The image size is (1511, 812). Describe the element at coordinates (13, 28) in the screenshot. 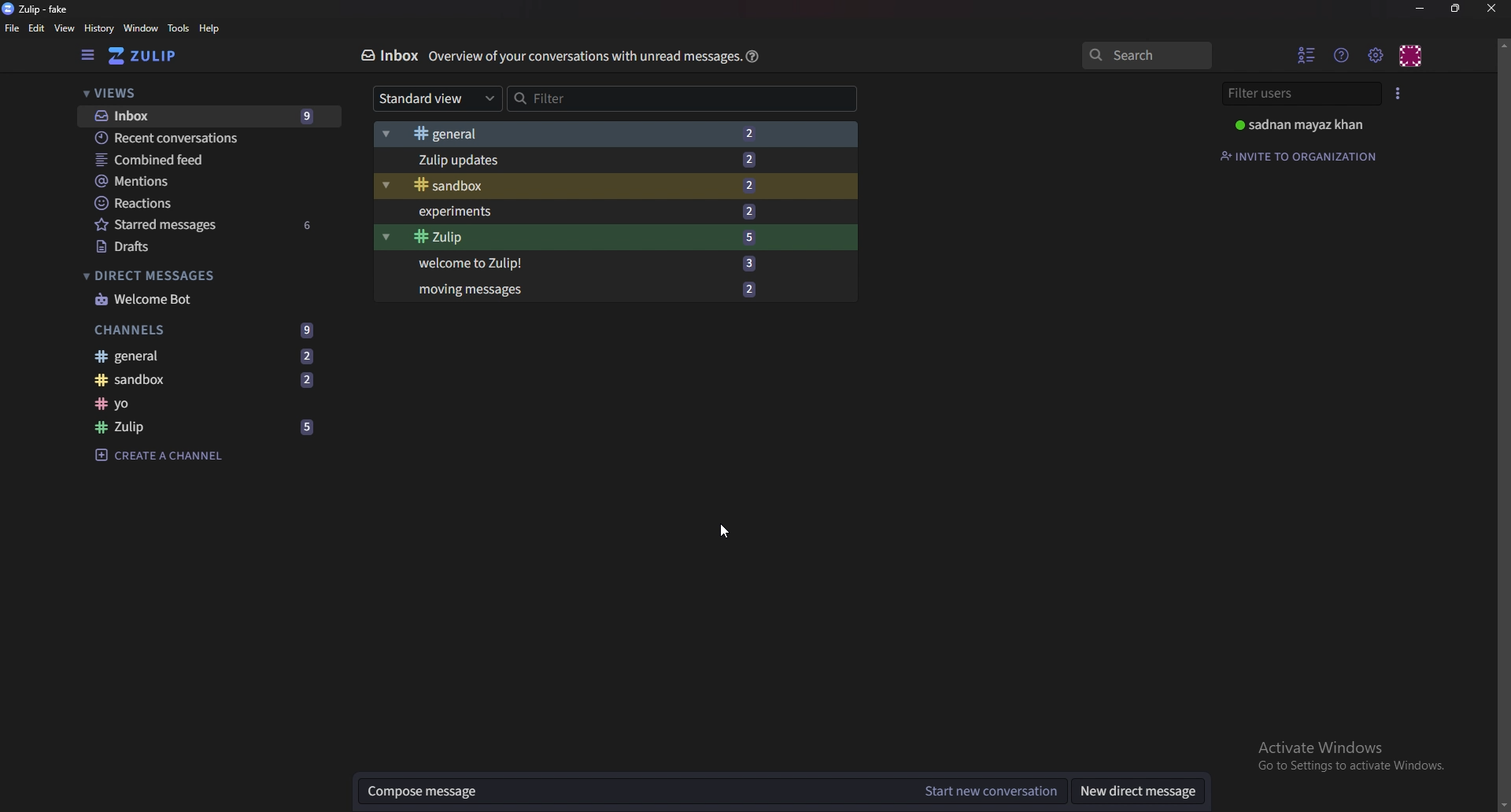

I see `File` at that location.